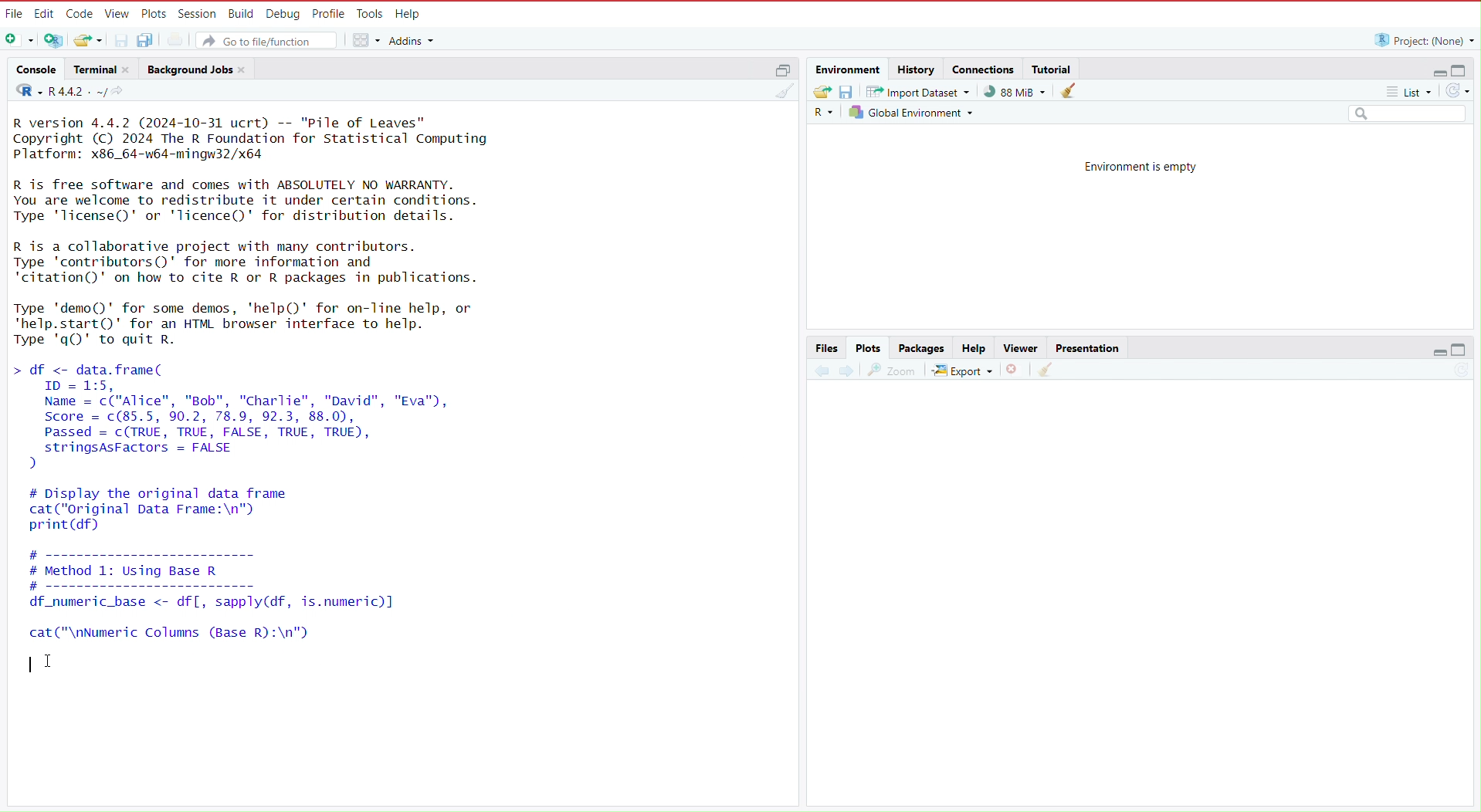 The image size is (1481, 812). Describe the element at coordinates (920, 347) in the screenshot. I see `Packages` at that location.